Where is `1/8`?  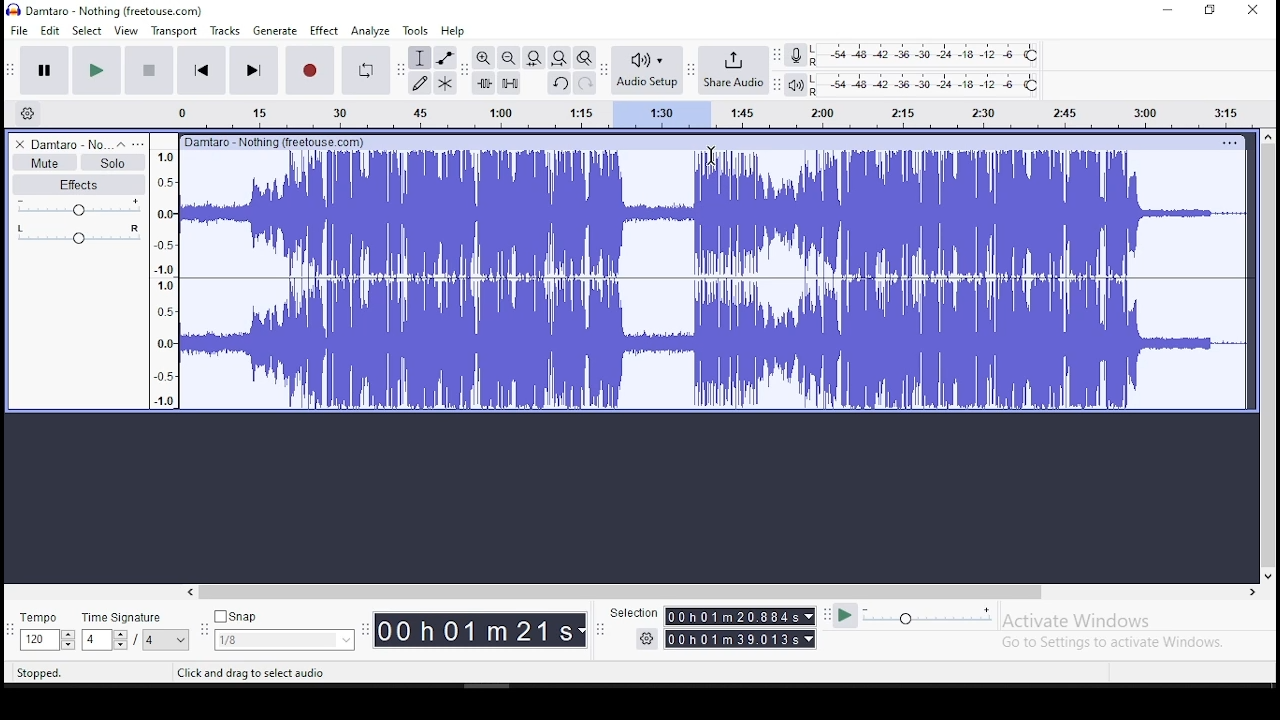
1/8 is located at coordinates (269, 640).